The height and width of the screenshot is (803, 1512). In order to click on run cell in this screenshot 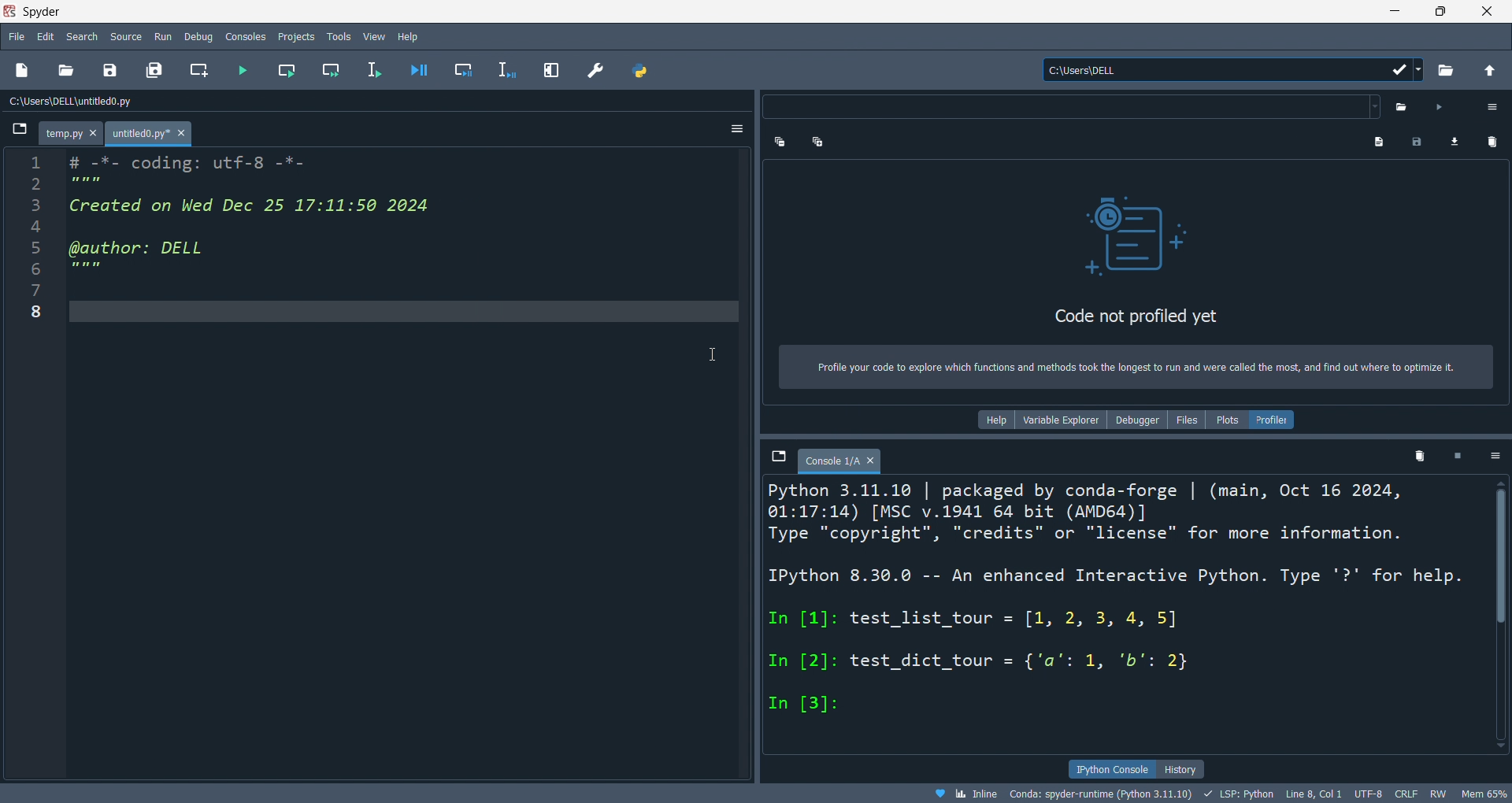, I will do `click(286, 71)`.